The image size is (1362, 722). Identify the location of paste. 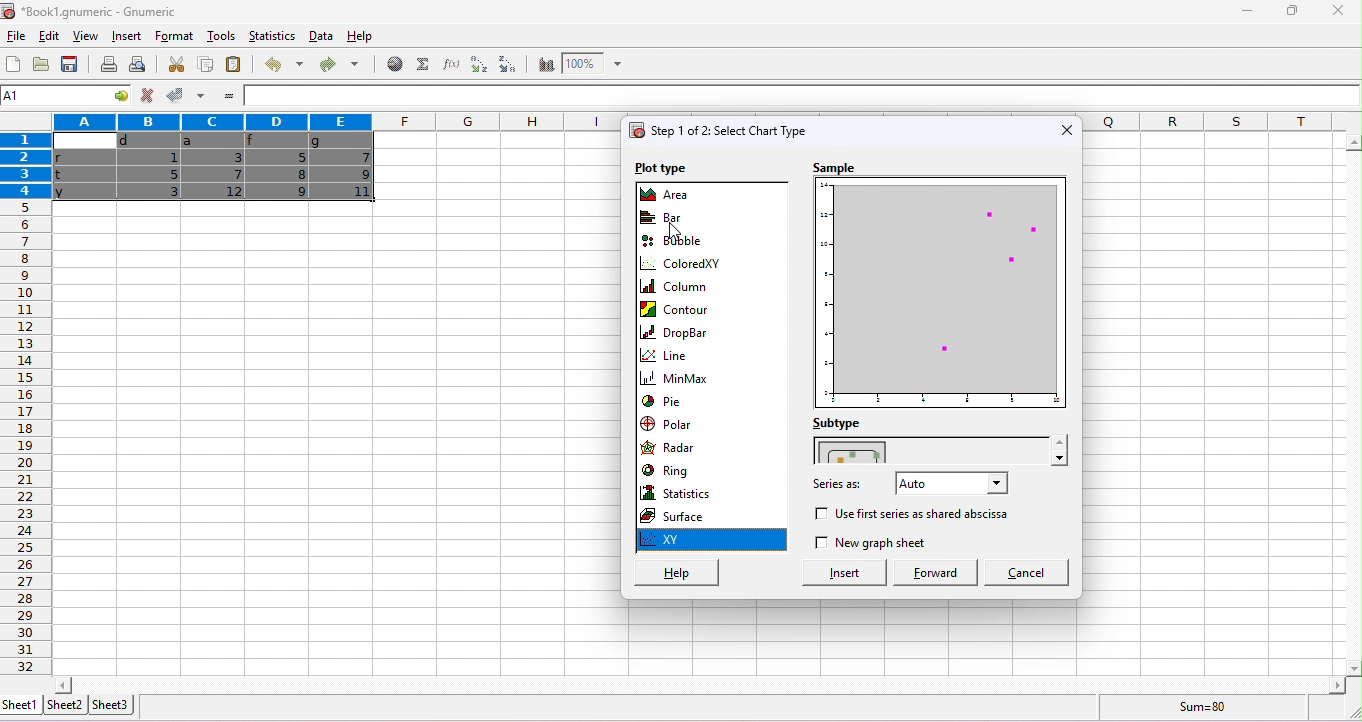
(234, 63).